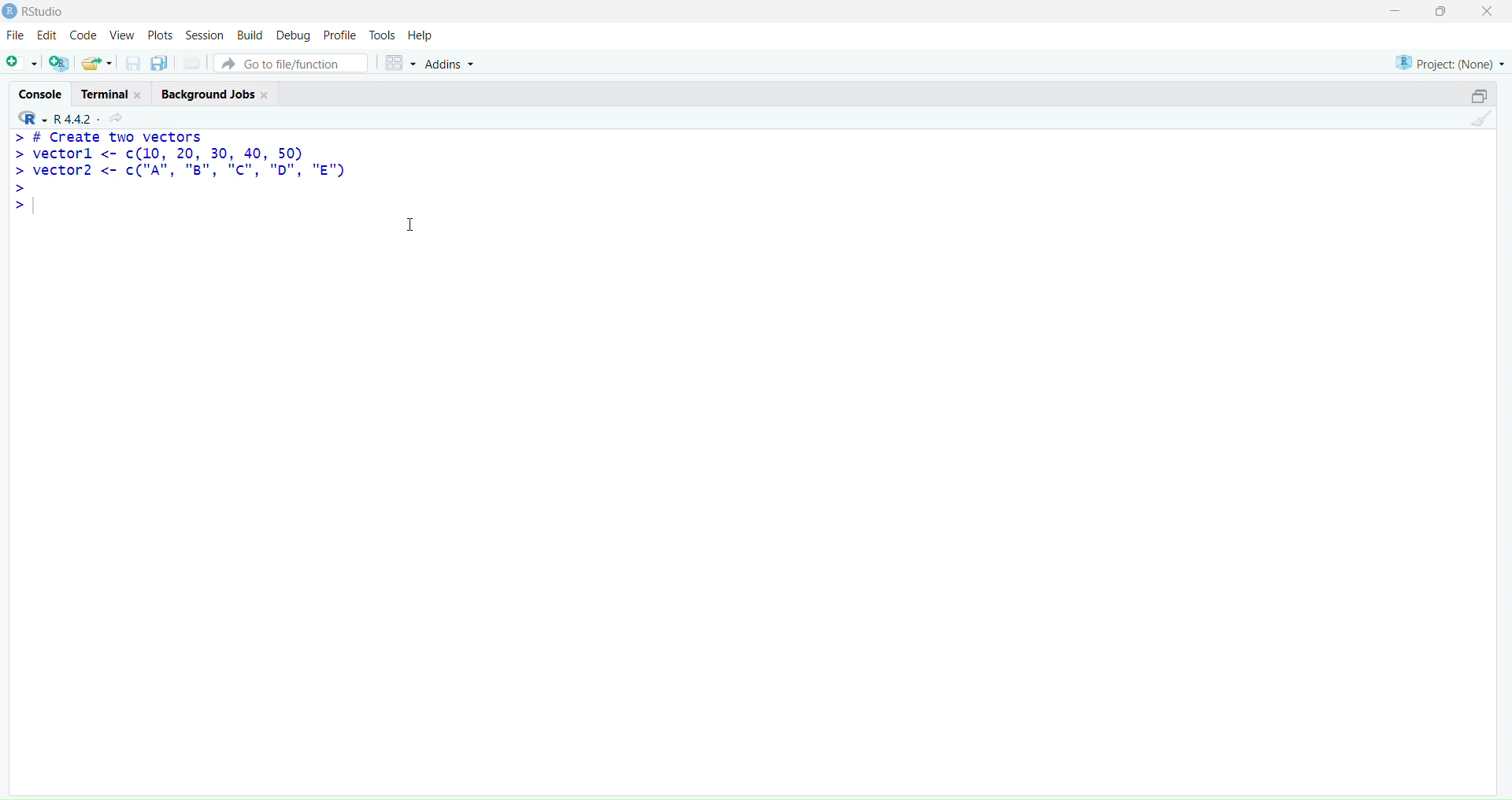 Image resolution: width=1512 pixels, height=800 pixels. I want to click on cursor, so click(409, 224).